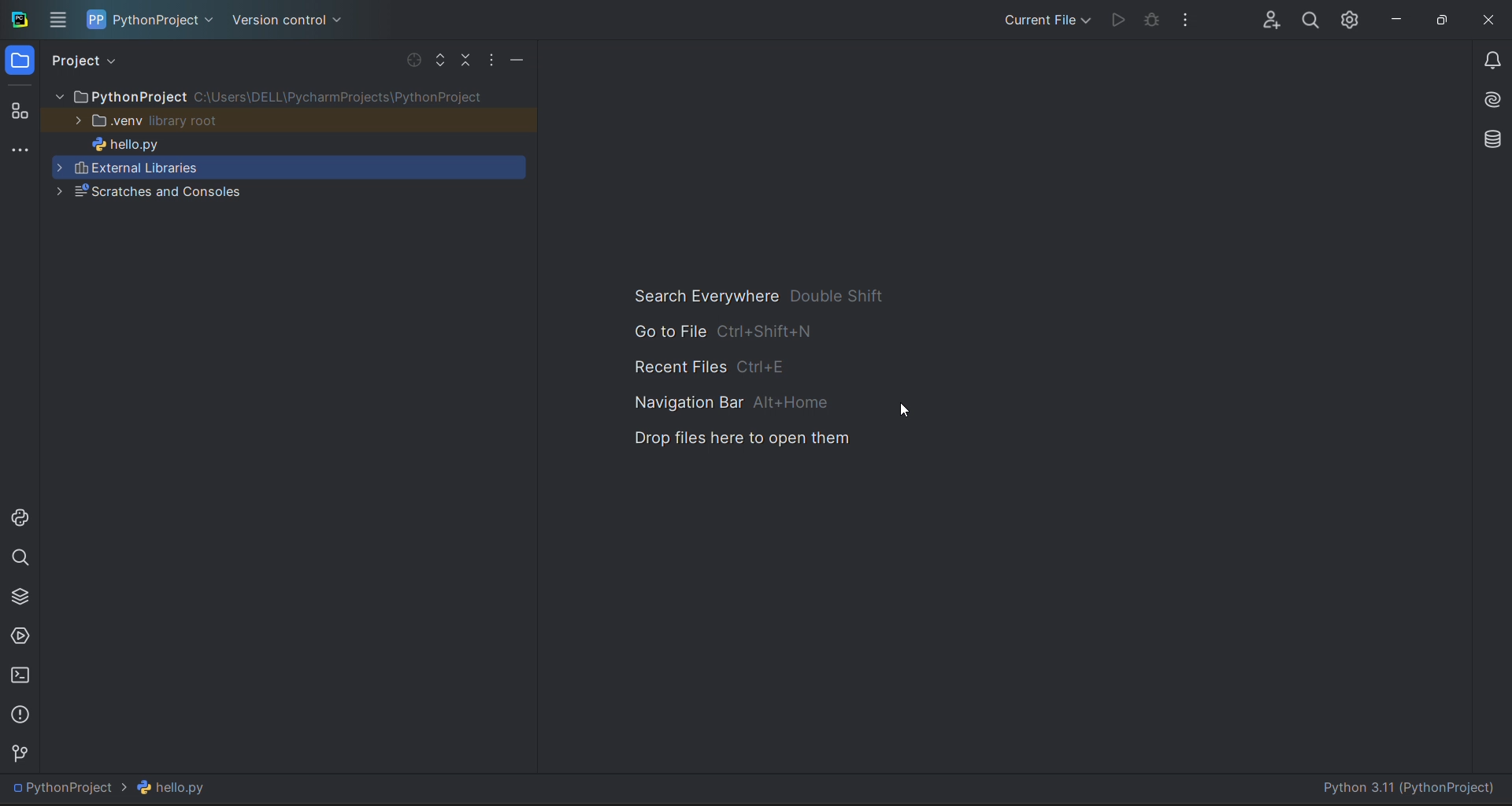 The height and width of the screenshot is (806, 1512). Describe the element at coordinates (20, 676) in the screenshot. I see `terminal` at that location.